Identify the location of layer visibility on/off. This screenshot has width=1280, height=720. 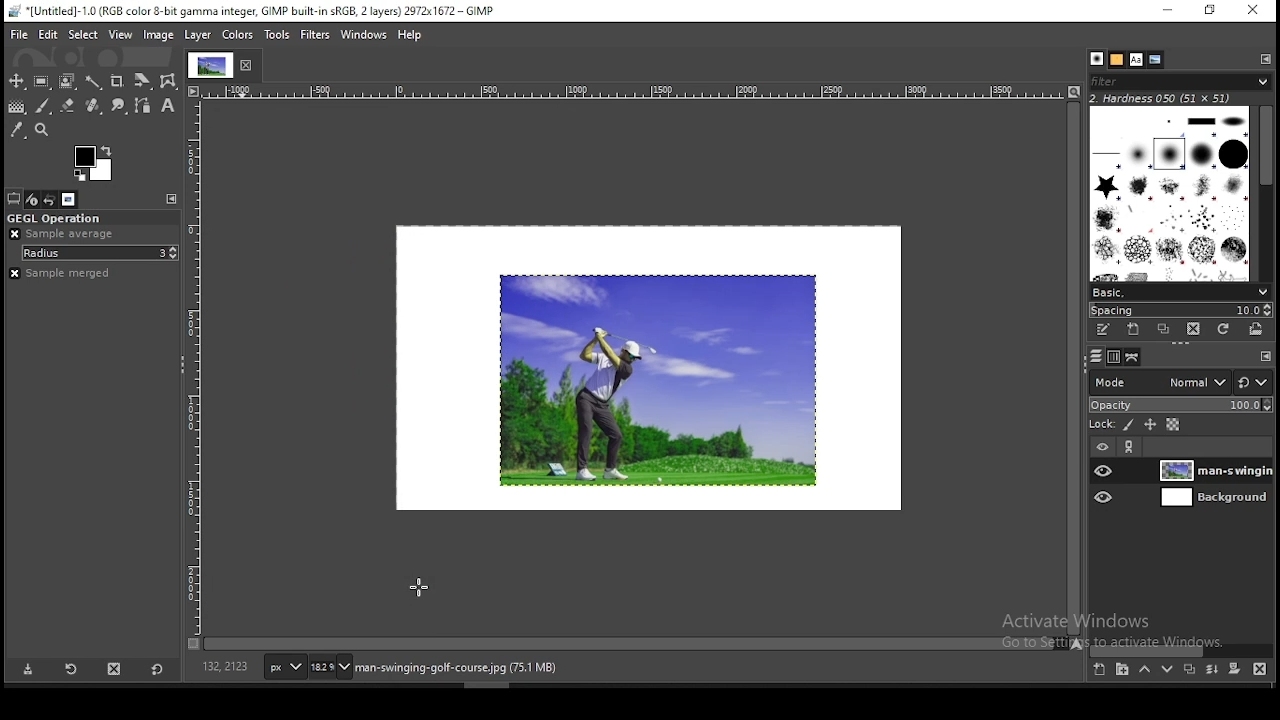
(1101, 497).